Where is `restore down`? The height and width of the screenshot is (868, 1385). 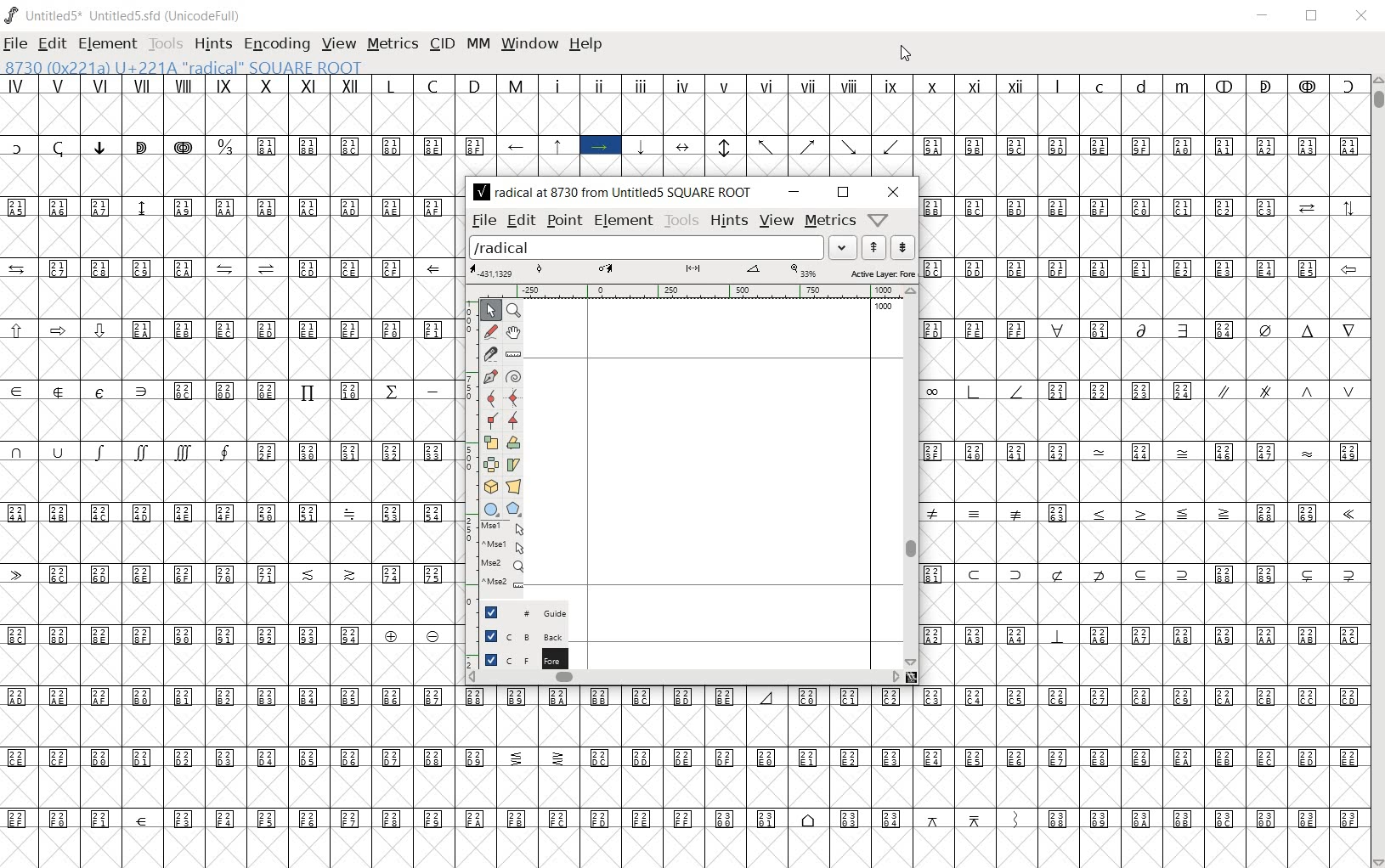
restore down is located at coordinates (841, 191).